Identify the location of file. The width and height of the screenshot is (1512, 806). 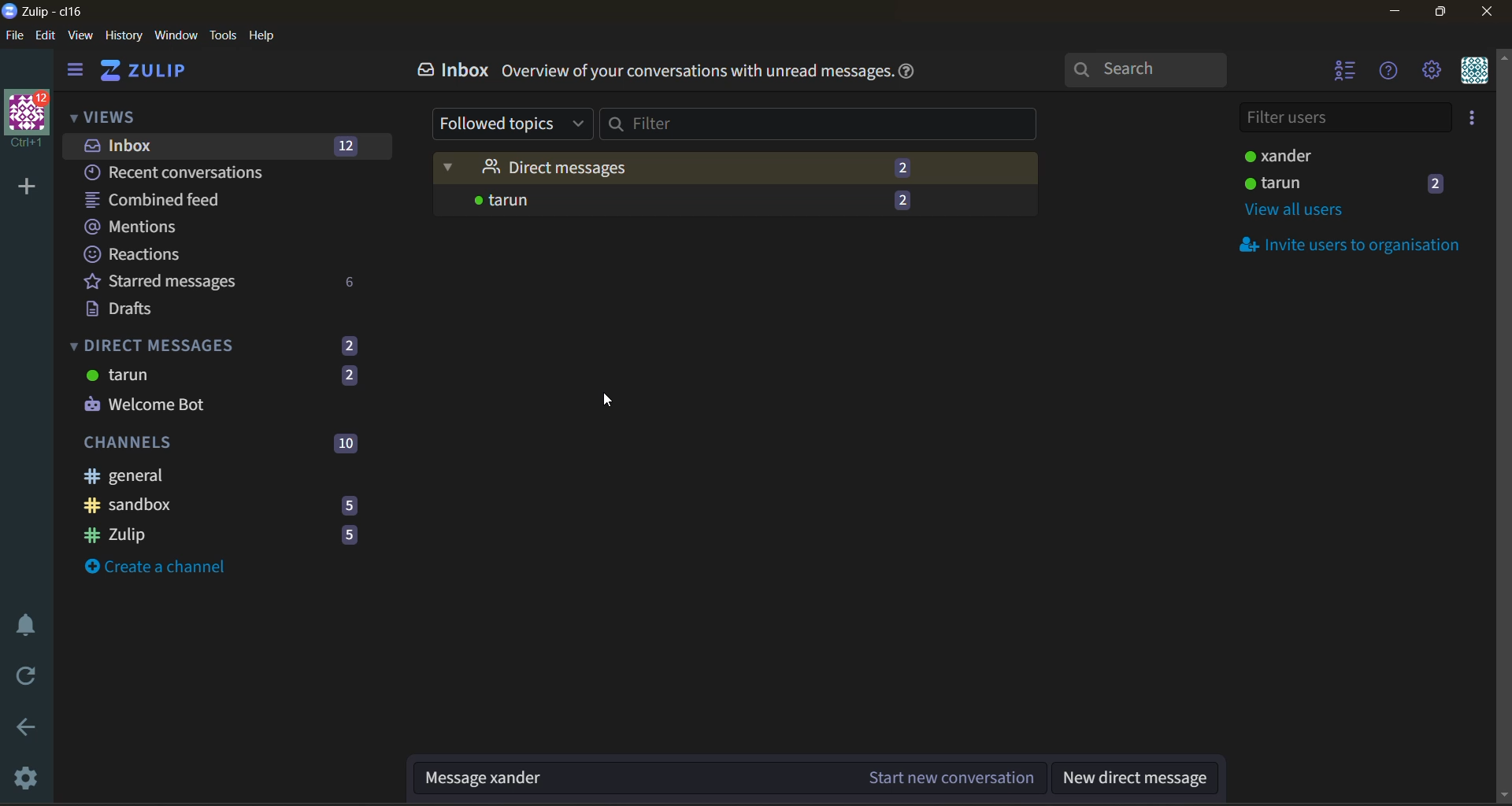
(16, 35).